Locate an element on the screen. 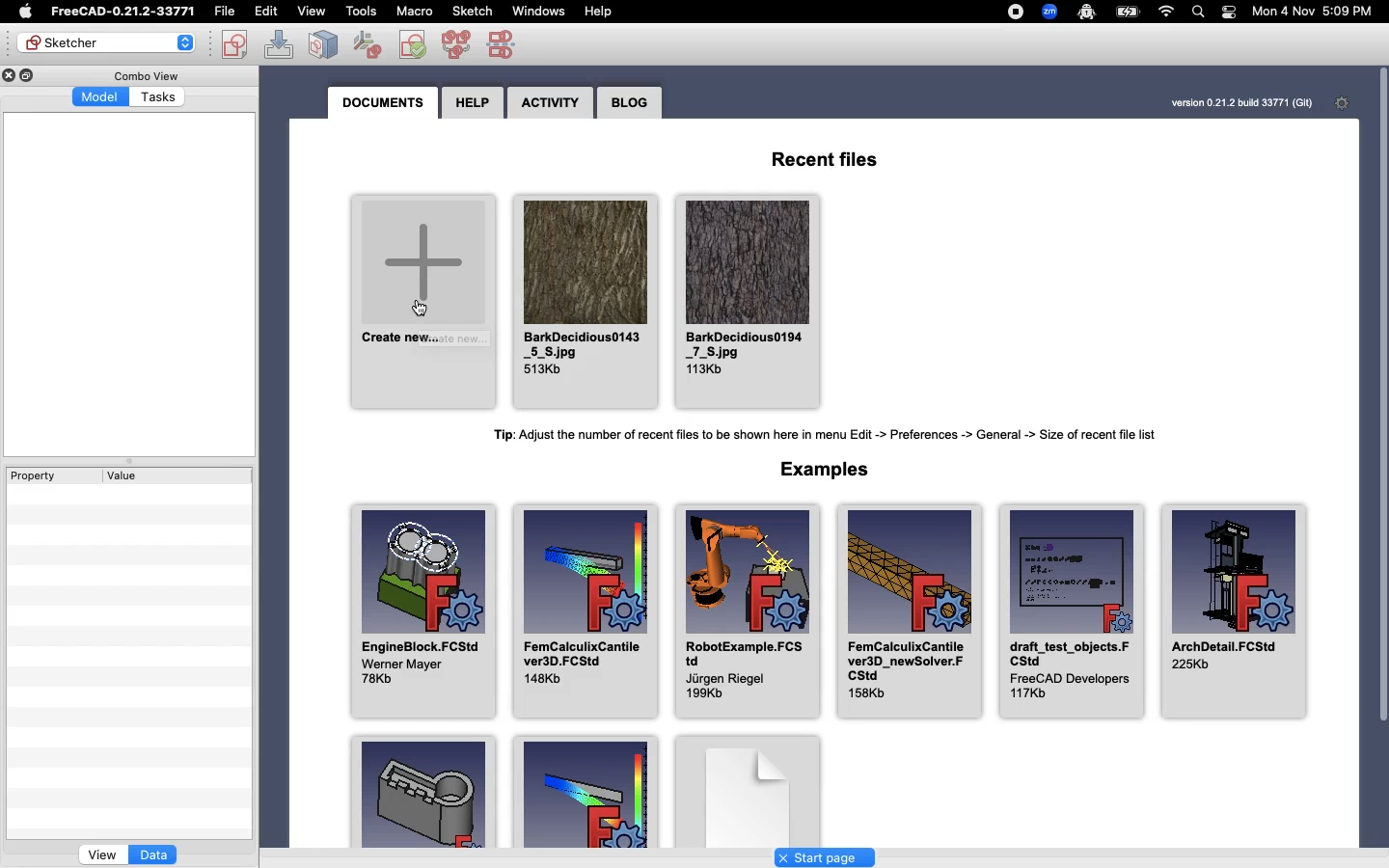 The height and width of the screenshot is (868, 1389). FreeCAD-0.21.2-33771 is located at coordinates (123, 12).